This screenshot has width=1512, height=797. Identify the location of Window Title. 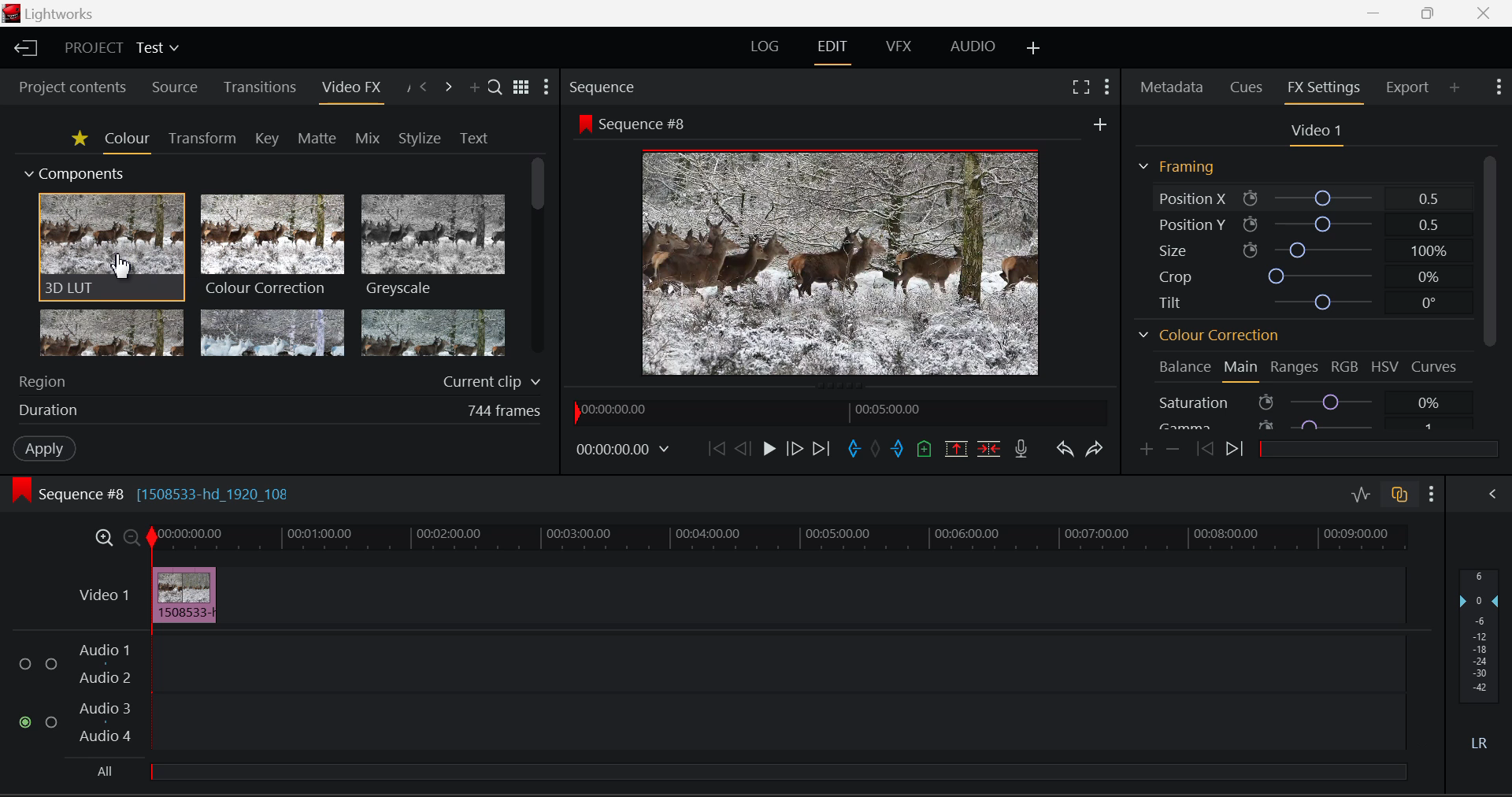
(52, 13).